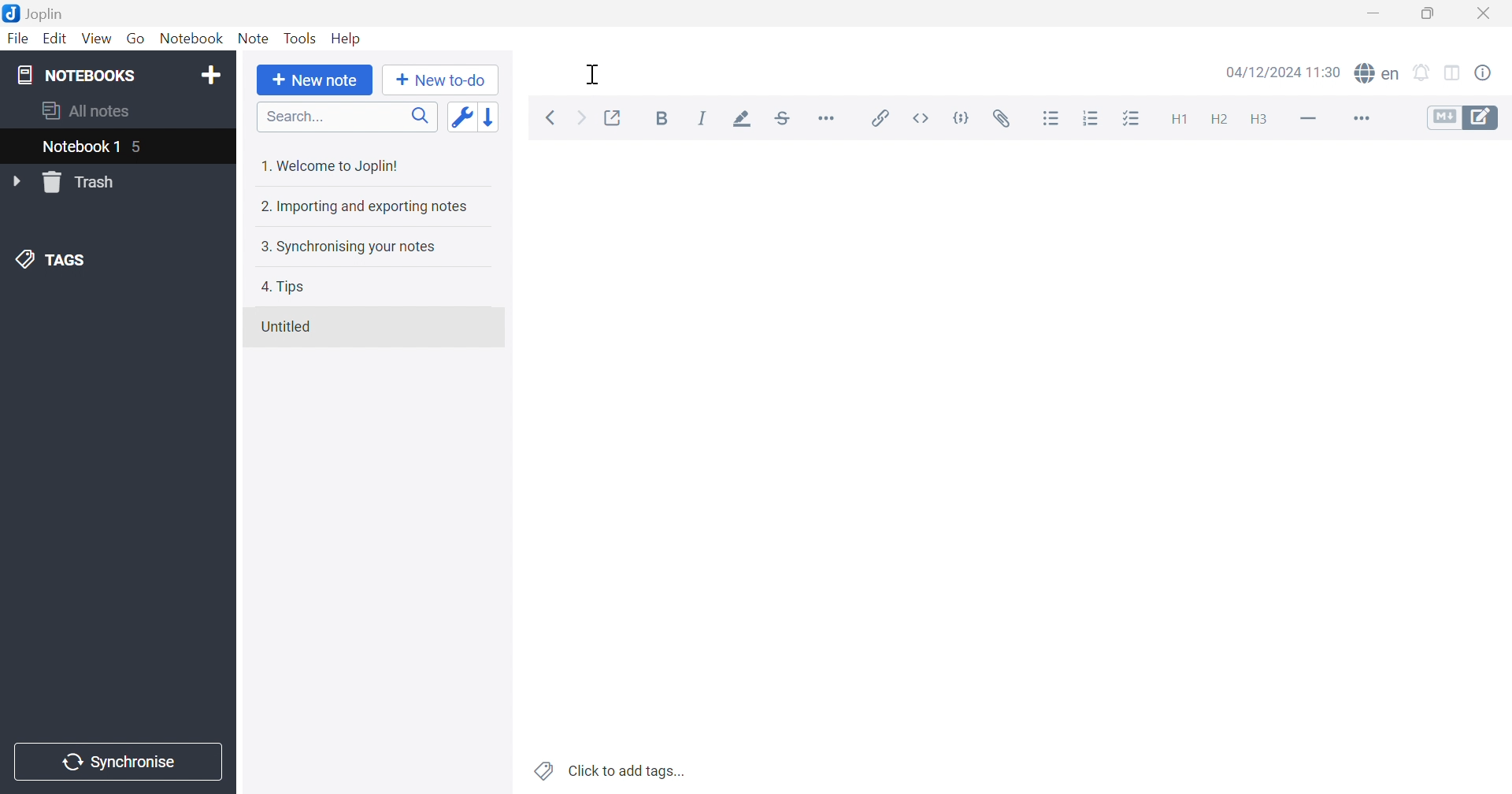 The image size is (1512, 794). Describe the element at coordinates (611, 770) in the screenshot. I see `Click to add tags...` at that location.